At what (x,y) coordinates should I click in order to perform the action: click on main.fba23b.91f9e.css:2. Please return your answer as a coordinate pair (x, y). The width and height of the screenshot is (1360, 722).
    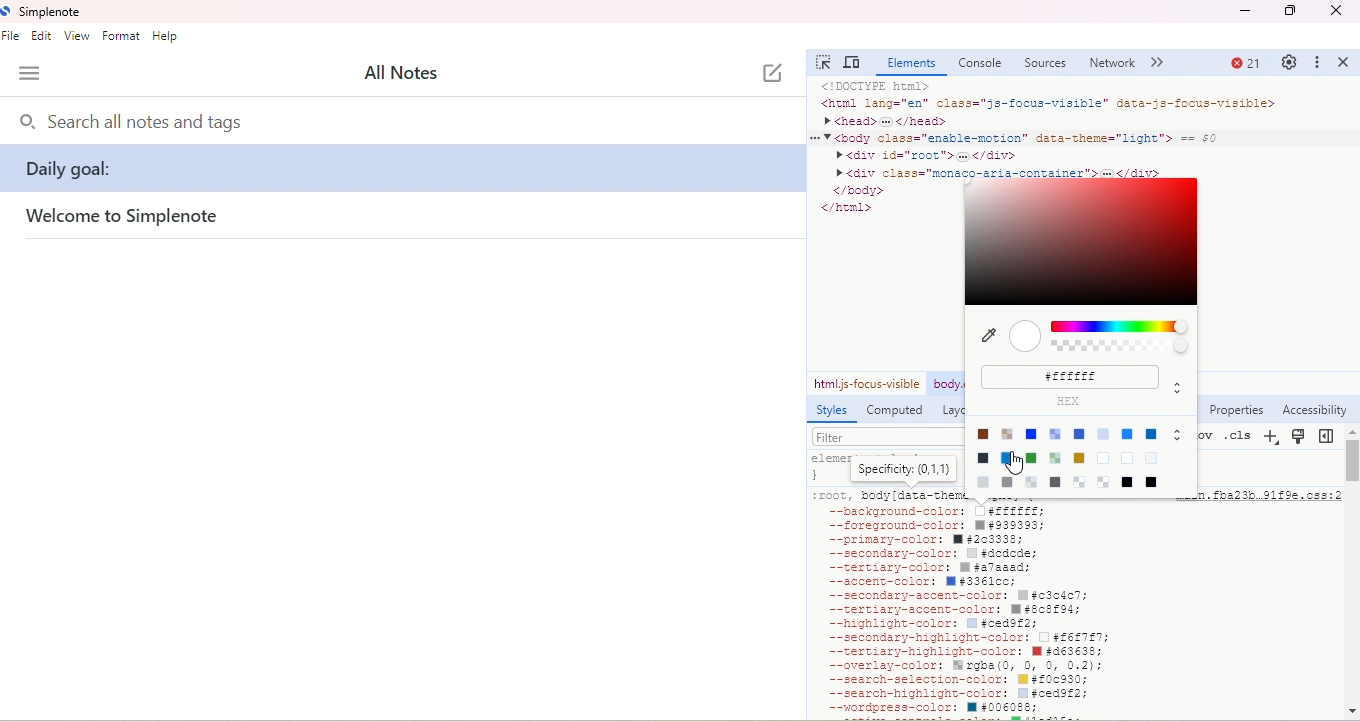
    Looking at the image, I should click on (1268, 498).